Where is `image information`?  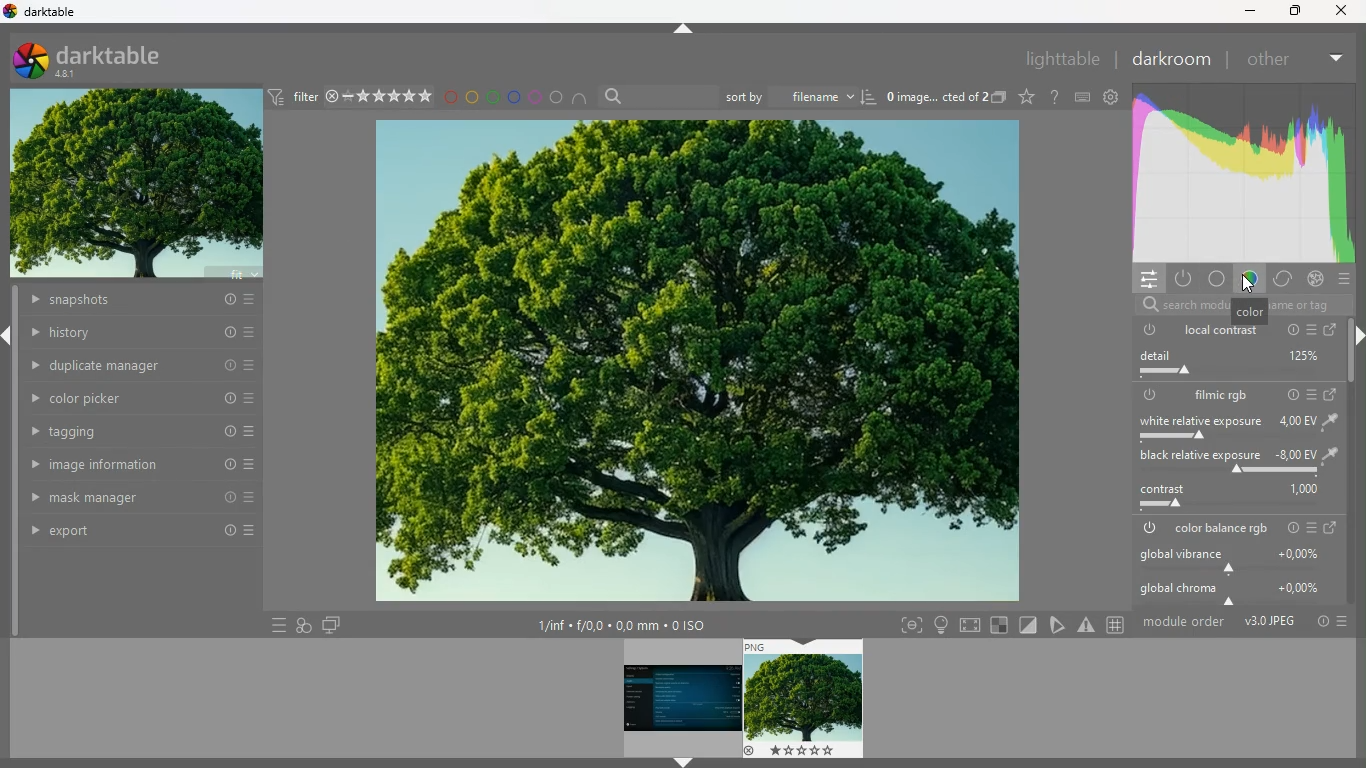 image information is located at coordinates (142, 465).